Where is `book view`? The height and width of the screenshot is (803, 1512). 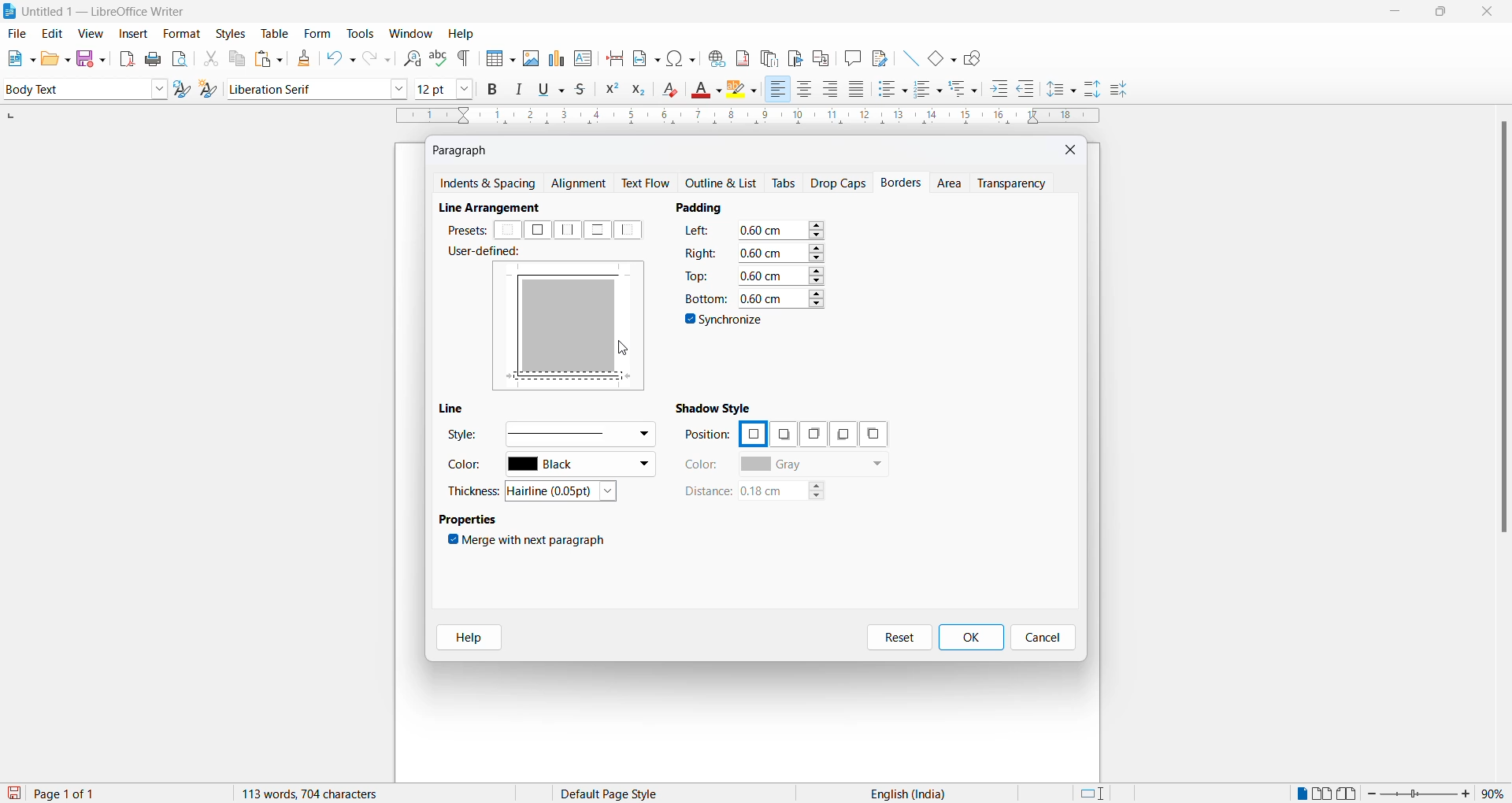 book view is located at coordinates (1351, 794).